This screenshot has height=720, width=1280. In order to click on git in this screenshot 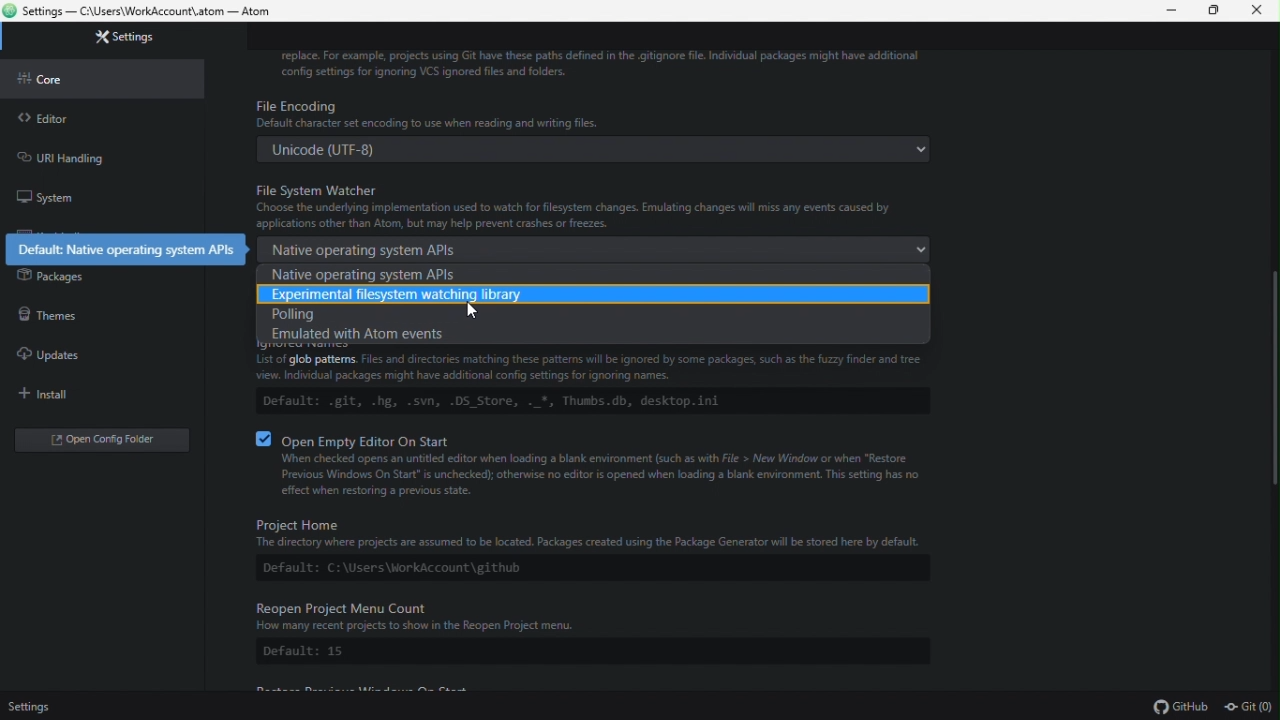, I will do `click(1252, 707)`.